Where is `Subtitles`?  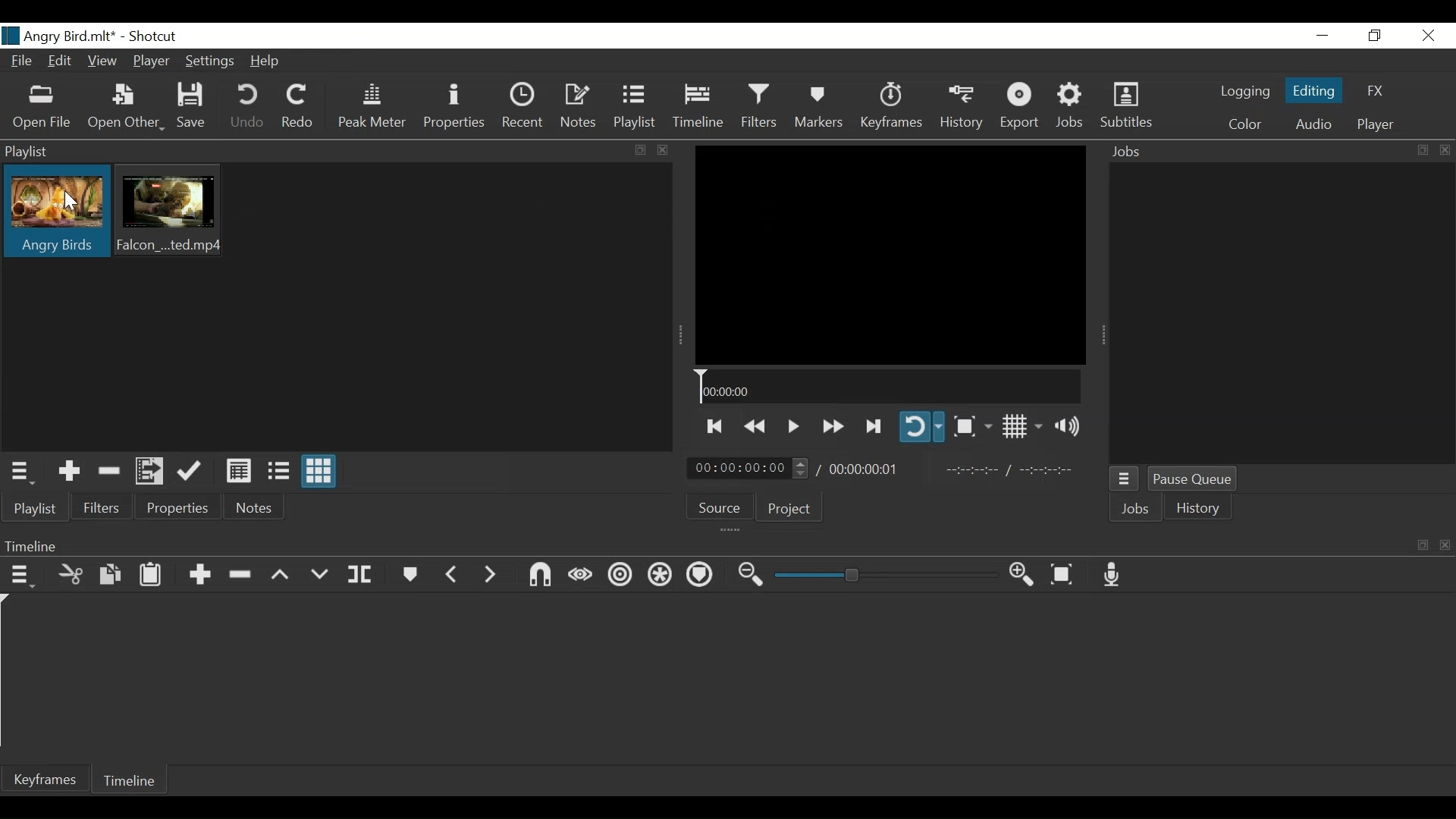 Subtitles is located at coordinates (1128, 107).